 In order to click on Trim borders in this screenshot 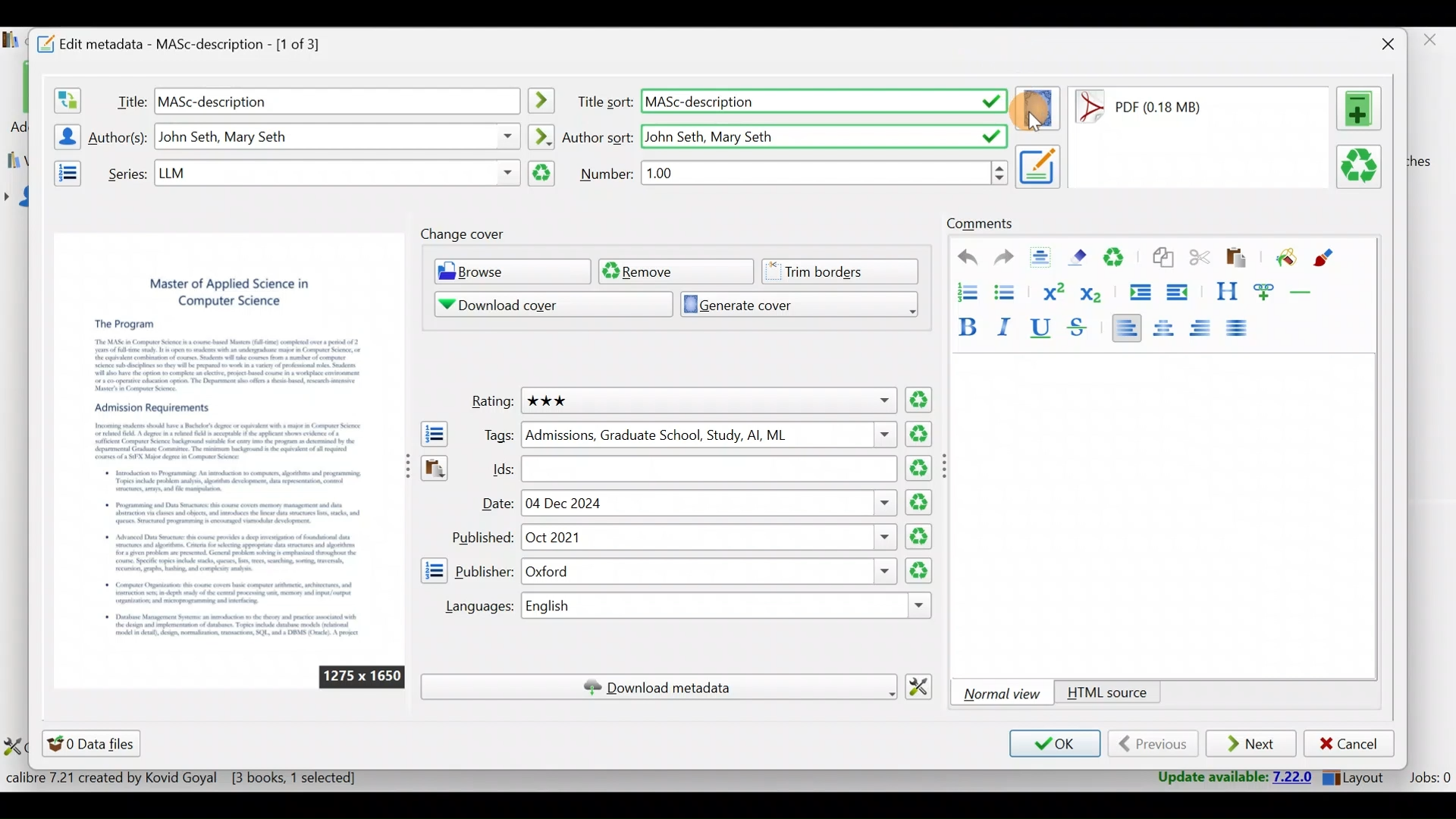, I will do `click(846, 270)`.